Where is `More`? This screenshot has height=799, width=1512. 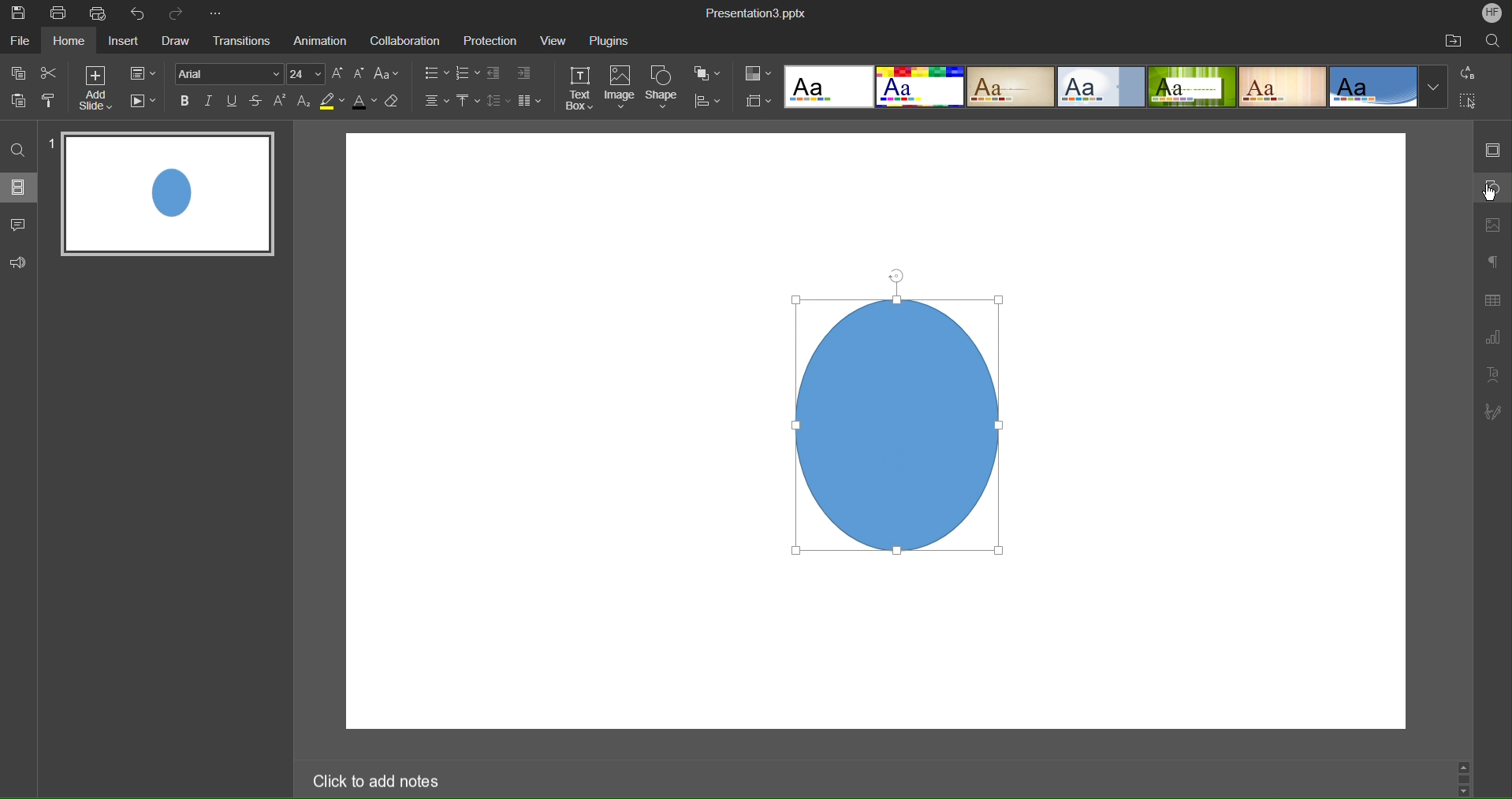
More is located at coordinates (215, 11).